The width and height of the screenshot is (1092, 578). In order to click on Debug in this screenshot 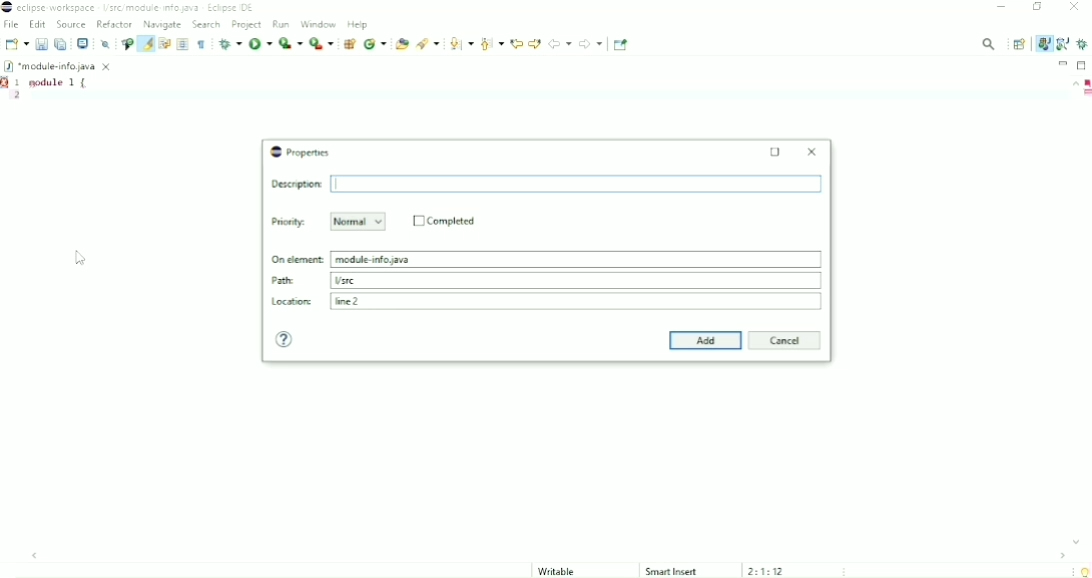, I will do `click(1083, 44)`.